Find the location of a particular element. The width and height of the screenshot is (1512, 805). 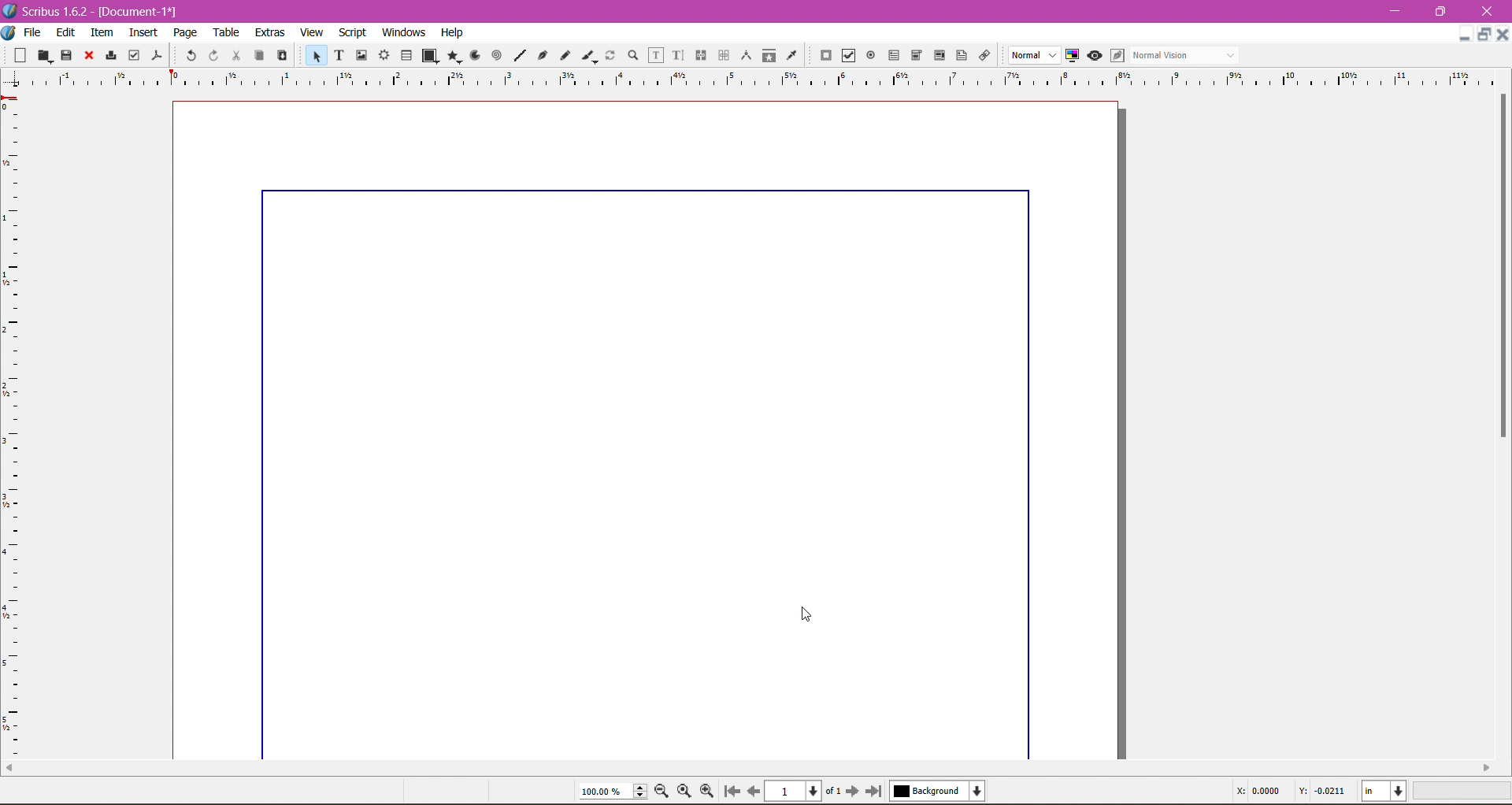

Go to last page is located at coordinates (875, 792).